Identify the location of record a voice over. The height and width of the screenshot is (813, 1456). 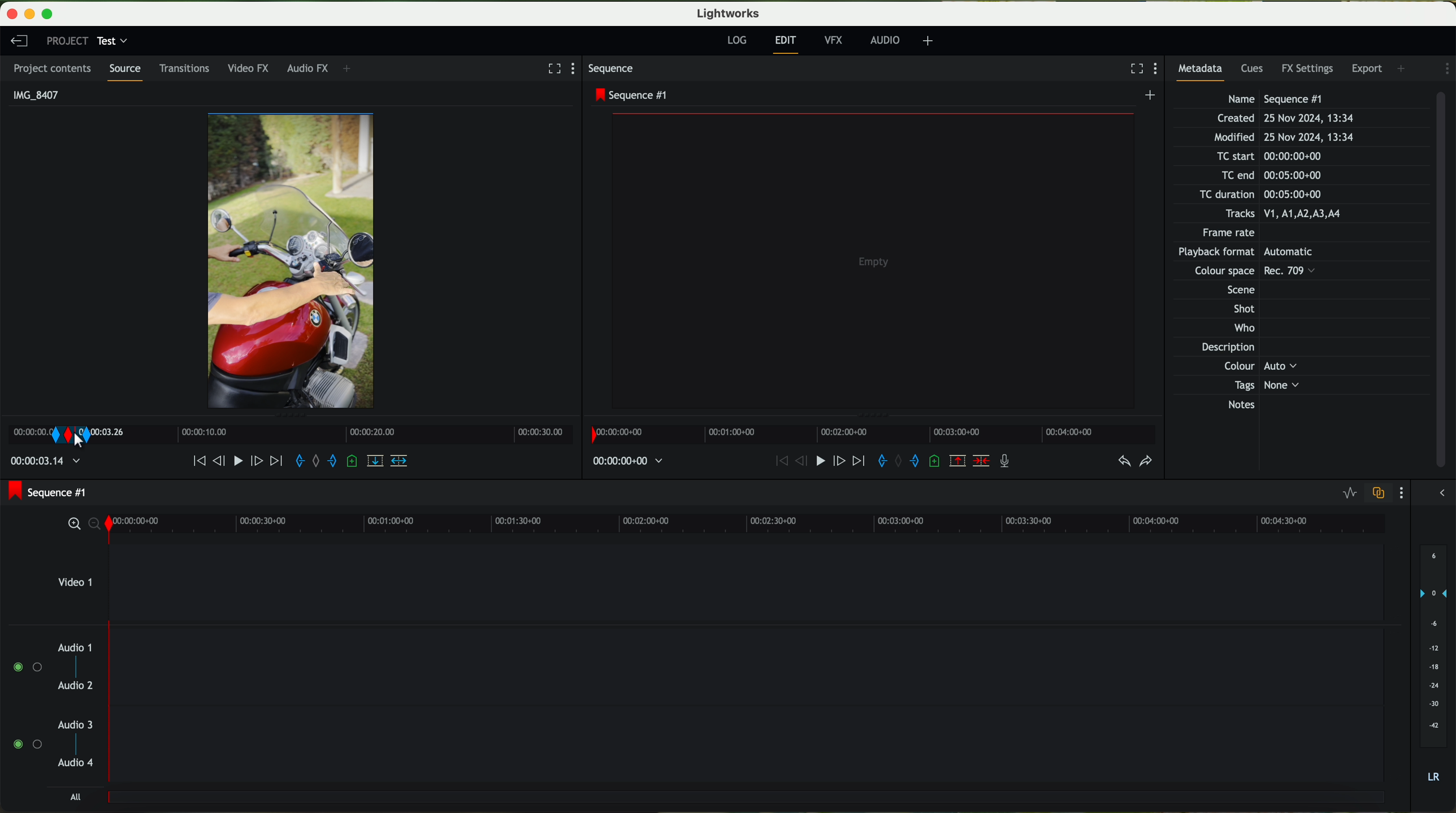
(1006, 460).